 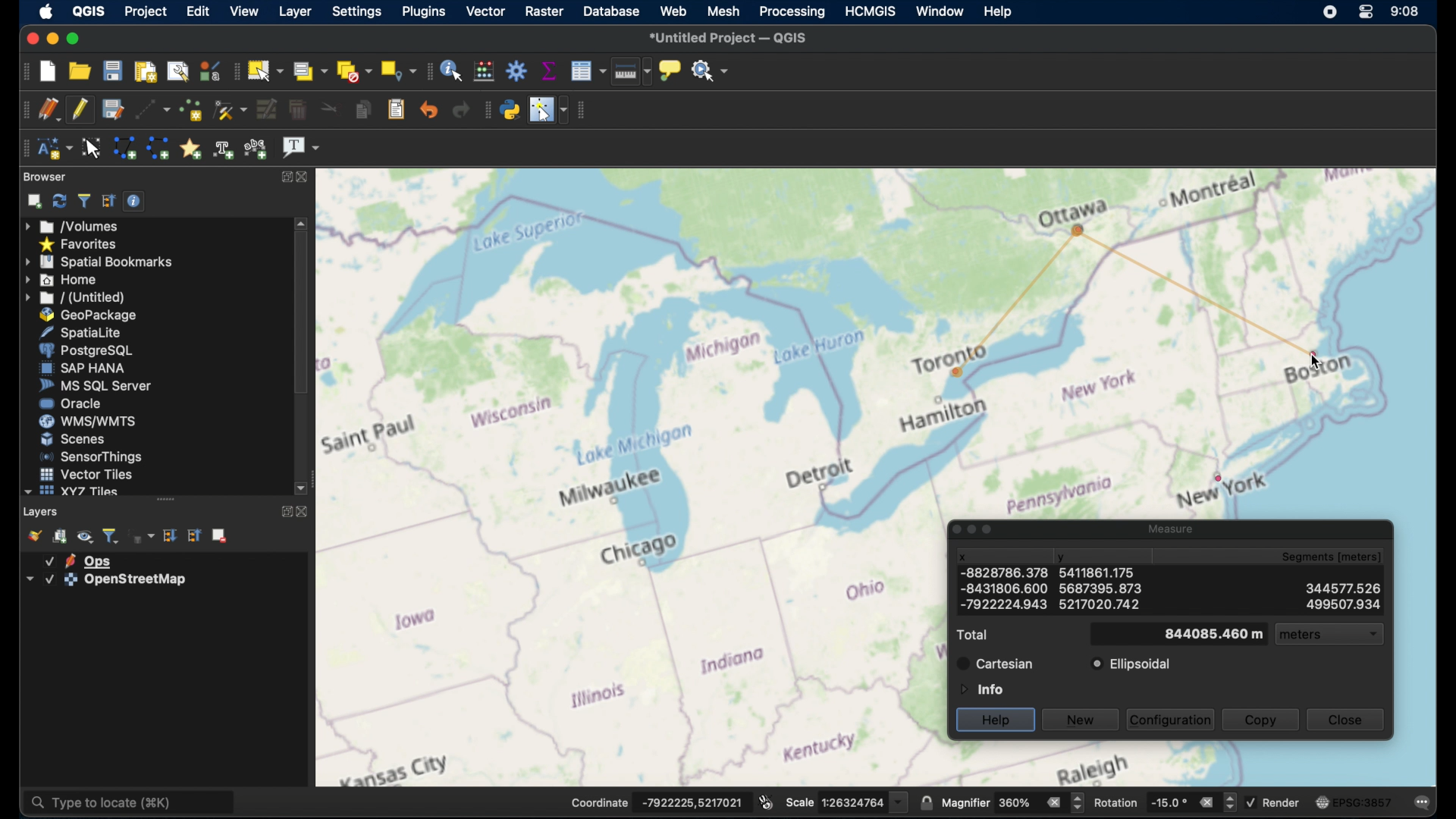 I want to click on scroll up arrow, so click(x=302, y=223).